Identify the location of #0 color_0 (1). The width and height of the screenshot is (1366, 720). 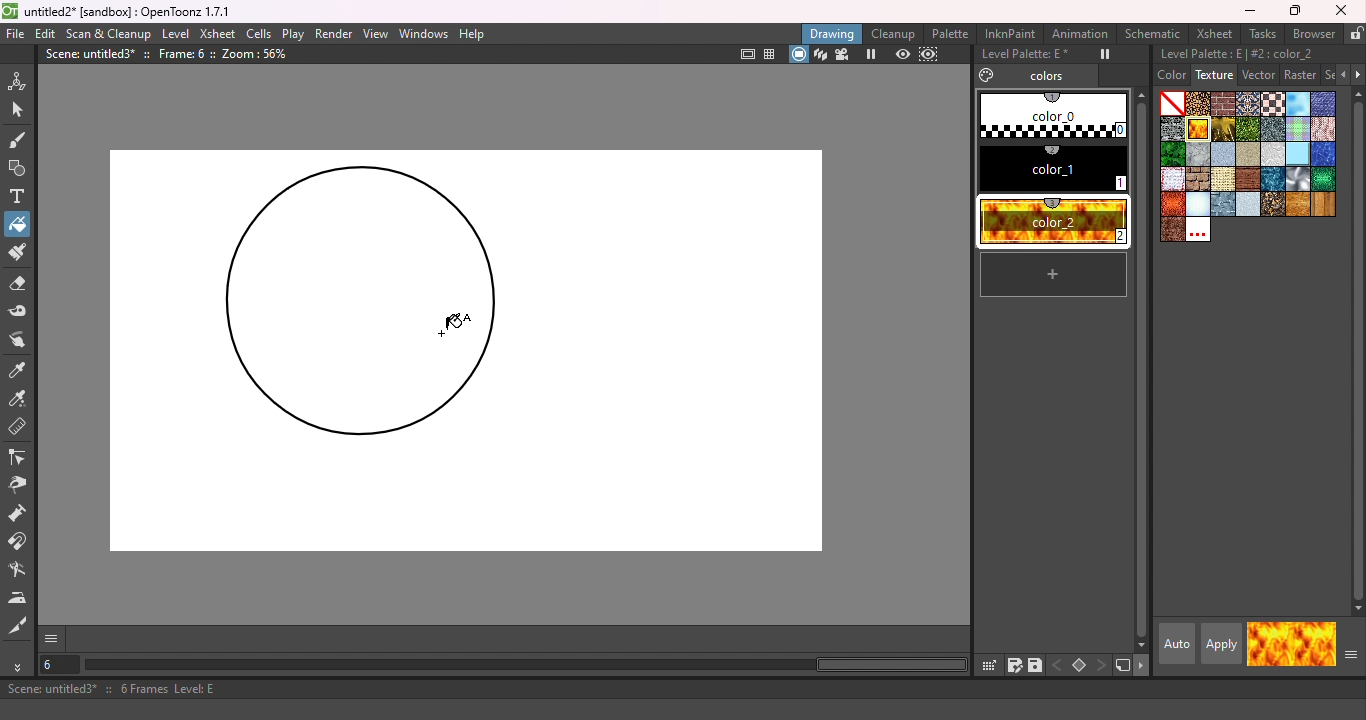
(1051, 114).